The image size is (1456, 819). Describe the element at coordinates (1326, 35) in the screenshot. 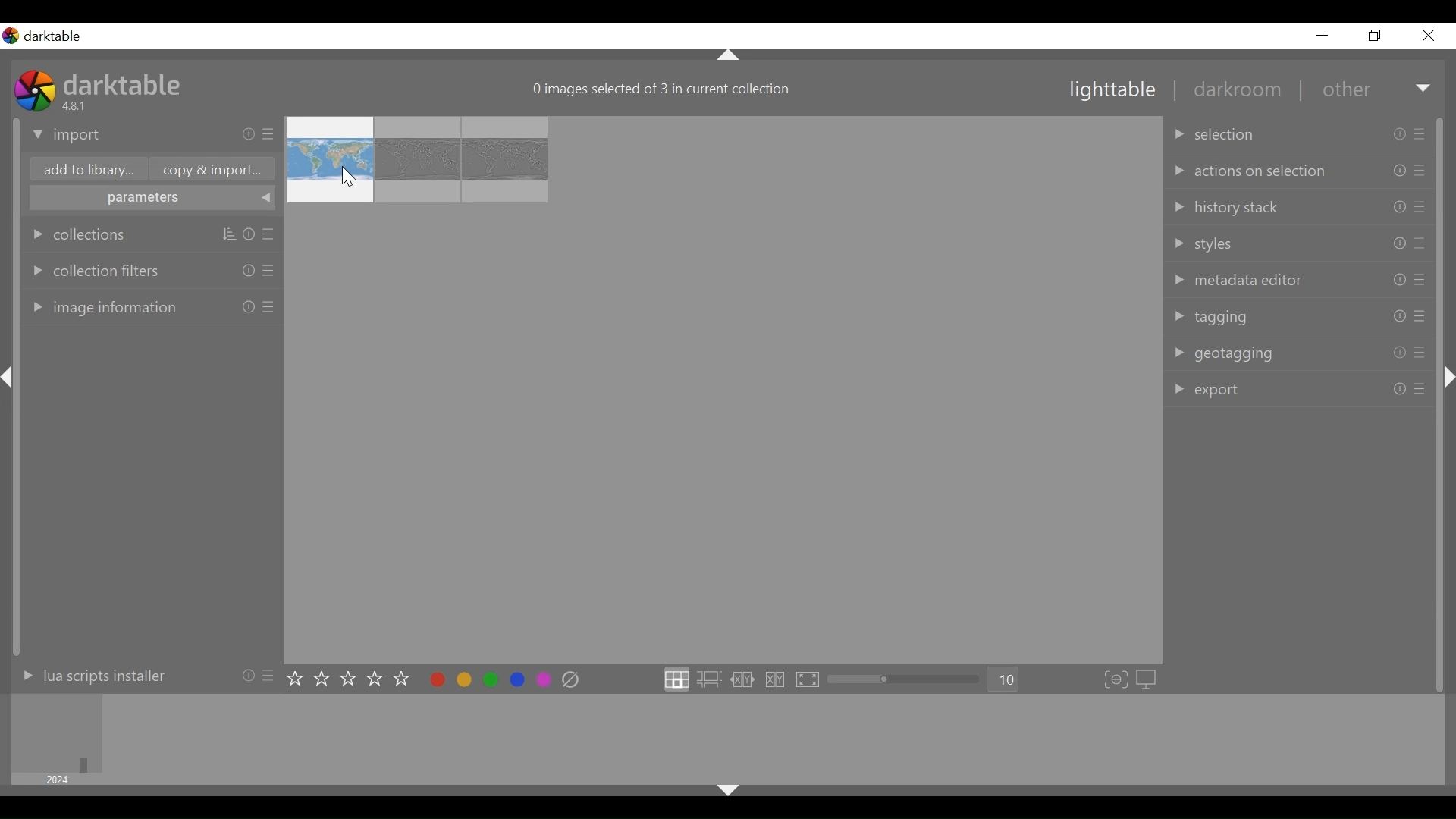

I see `minimize` at that location.